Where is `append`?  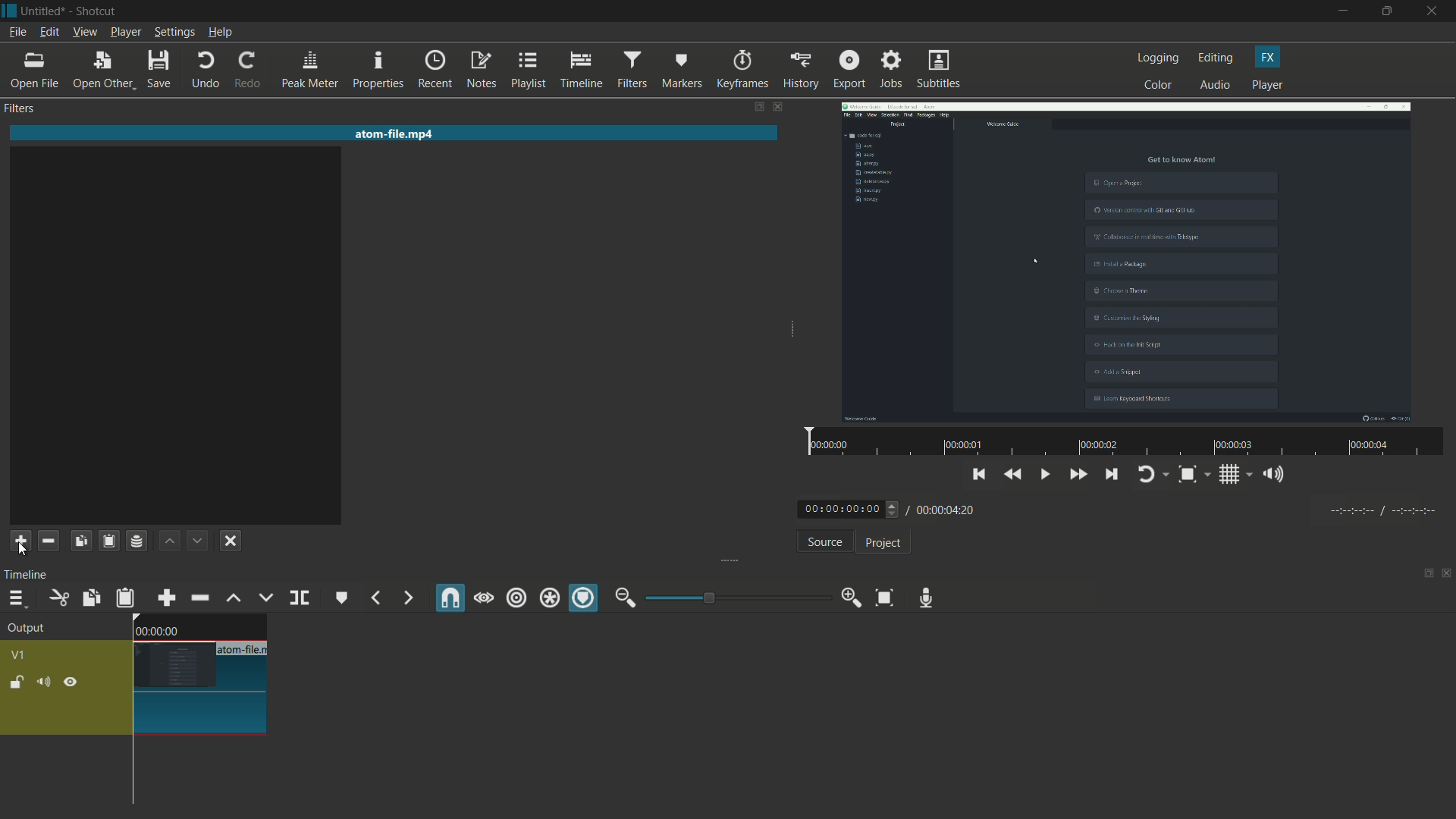 append is located at coordinates (165, 598).